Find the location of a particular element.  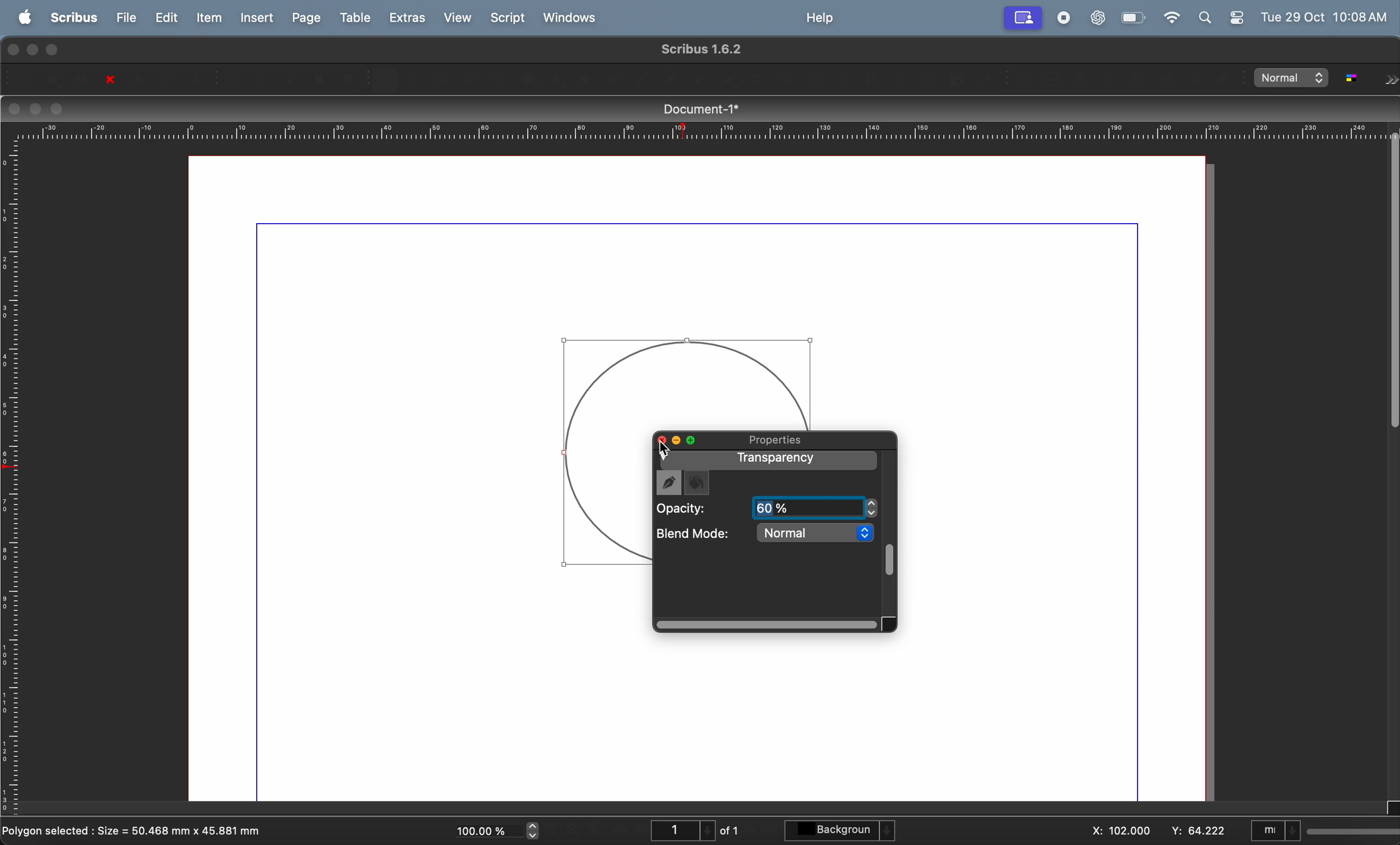

item is located at coordinates (205, 18).